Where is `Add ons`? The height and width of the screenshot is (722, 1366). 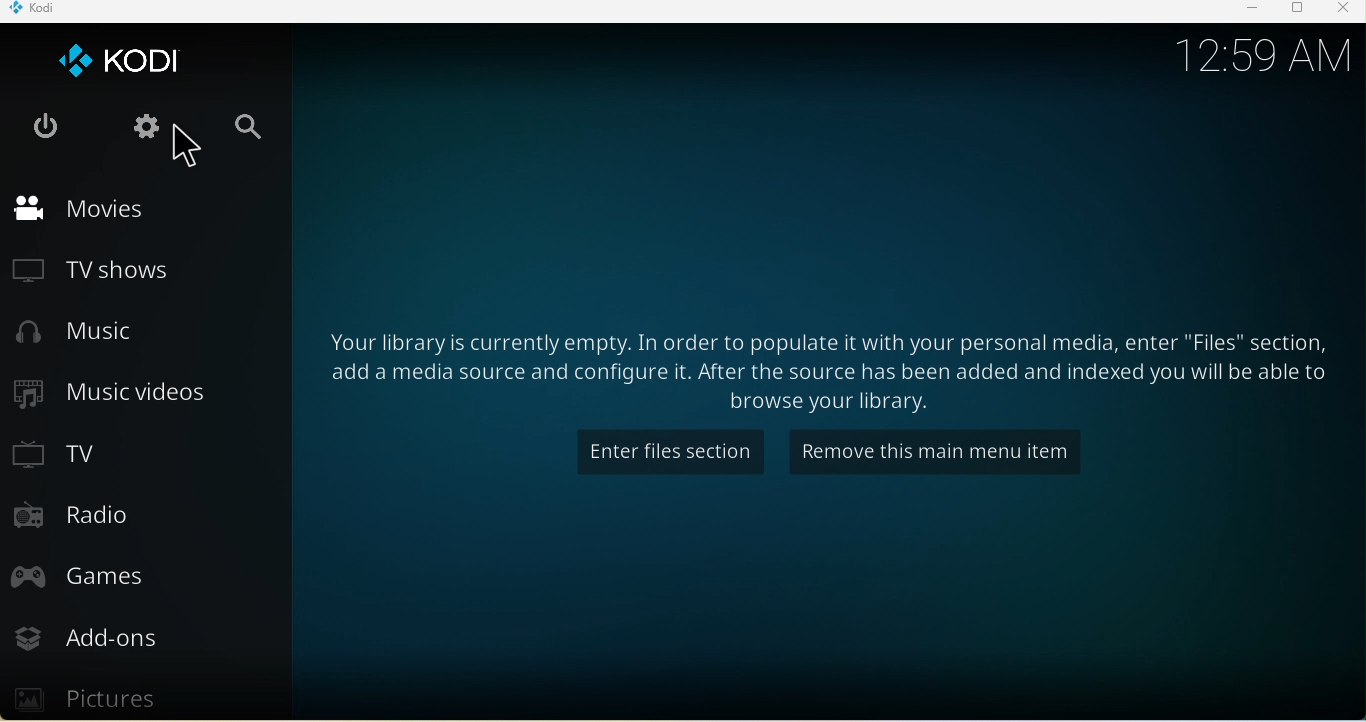
Add ons is located at coordinates (101, 640).